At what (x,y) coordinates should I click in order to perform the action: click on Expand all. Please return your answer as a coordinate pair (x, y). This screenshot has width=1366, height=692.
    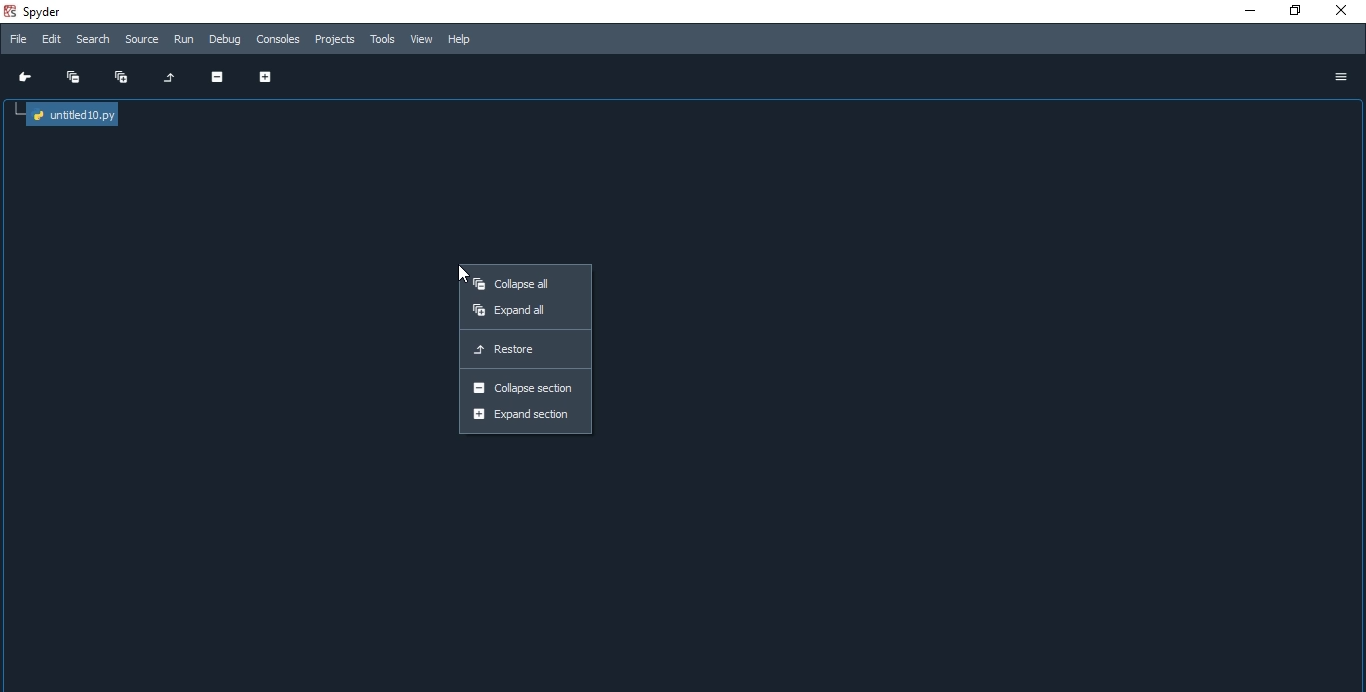
    Looking at the image, I should click on (114, 79).